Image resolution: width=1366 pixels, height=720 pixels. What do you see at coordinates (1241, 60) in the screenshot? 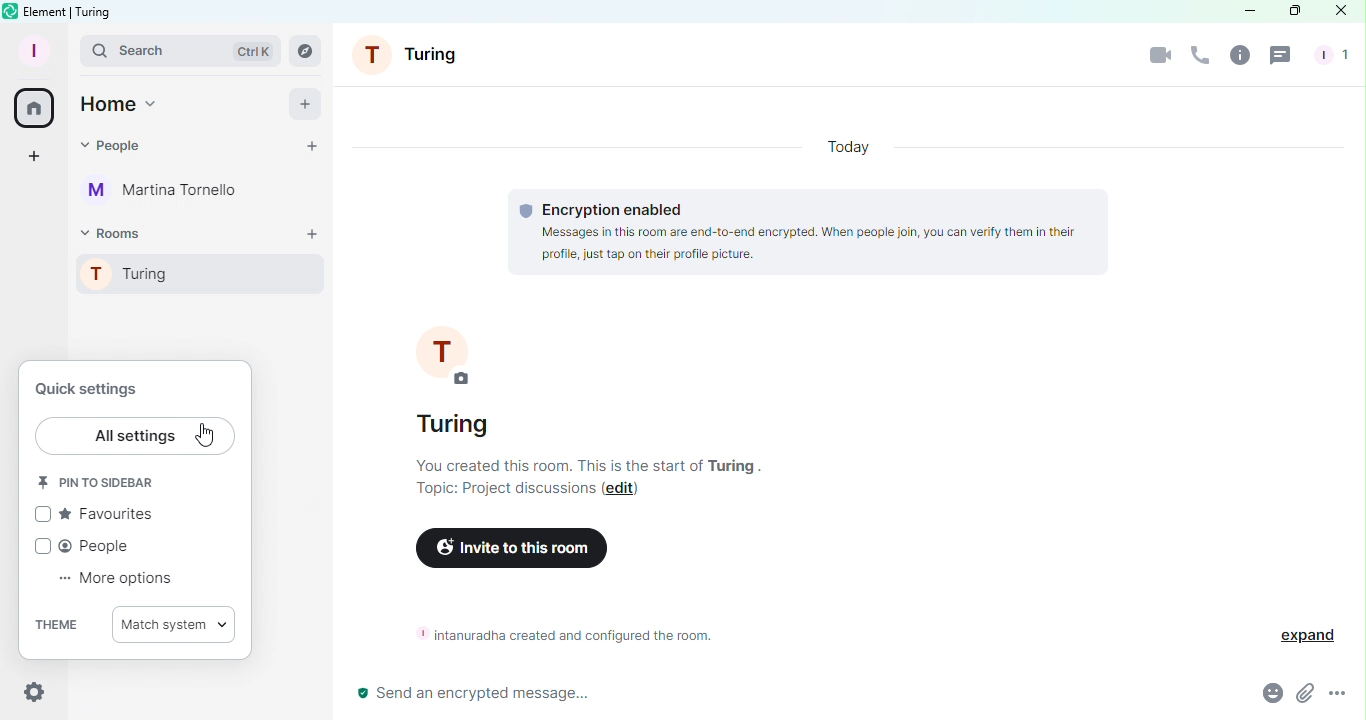
I see `Room info` at bounding box center [1241, 60].